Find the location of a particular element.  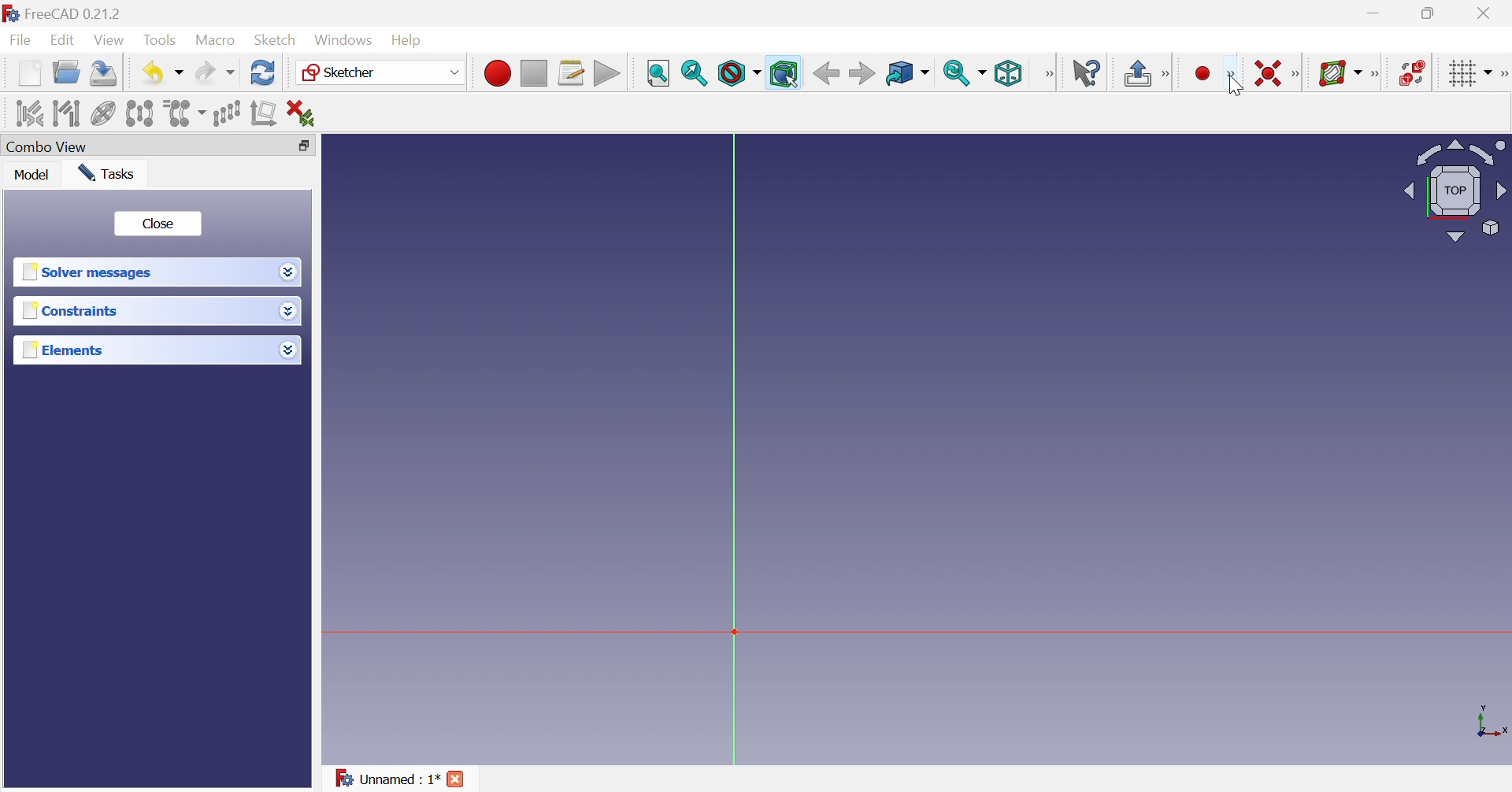

Constraints is located at coordinates (70, 310).